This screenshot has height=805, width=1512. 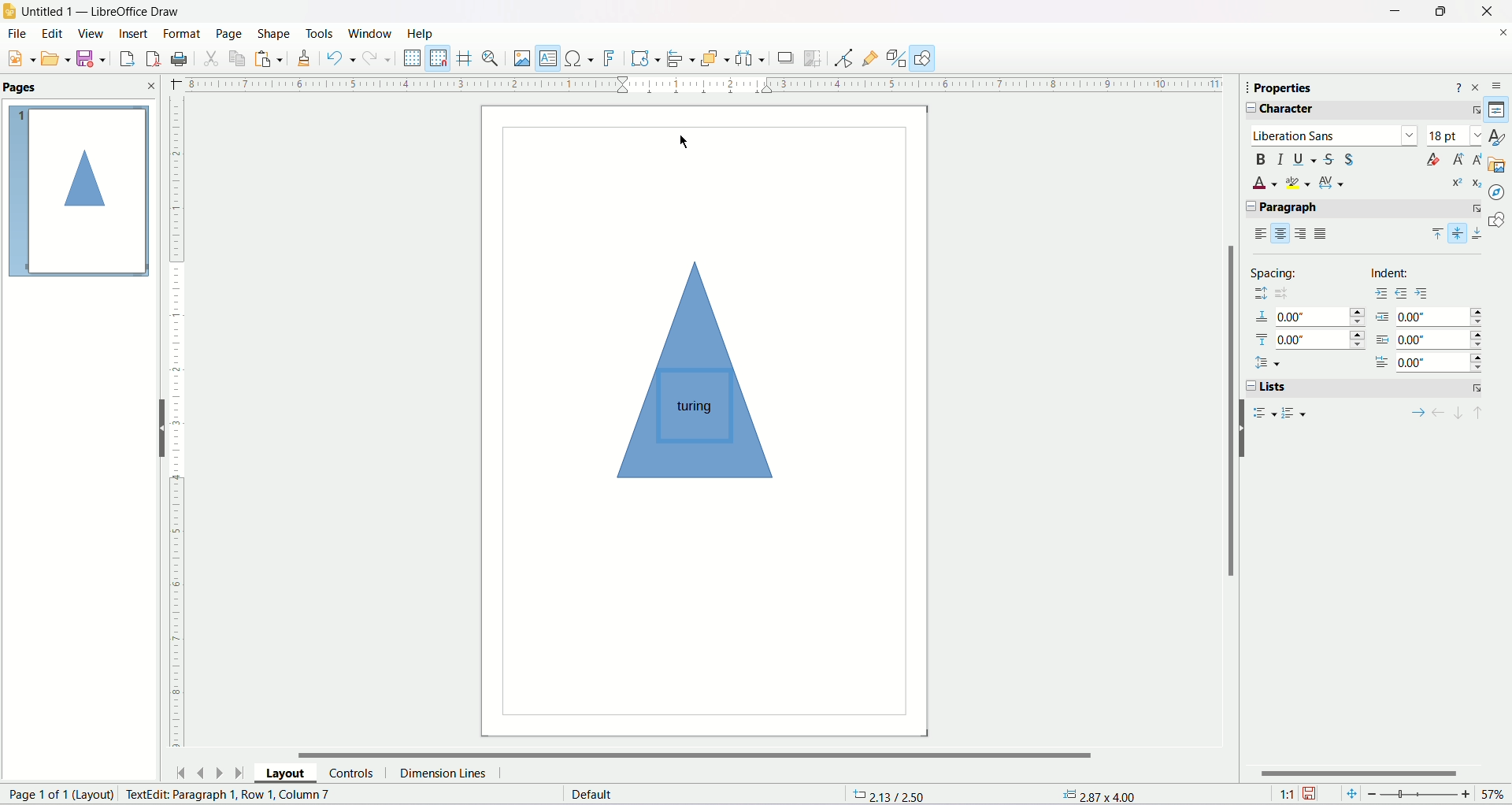 What do you see at coordinates (1458, 233) in the screenshot?
I see `vertically center` at bounding box center [1458, 233].